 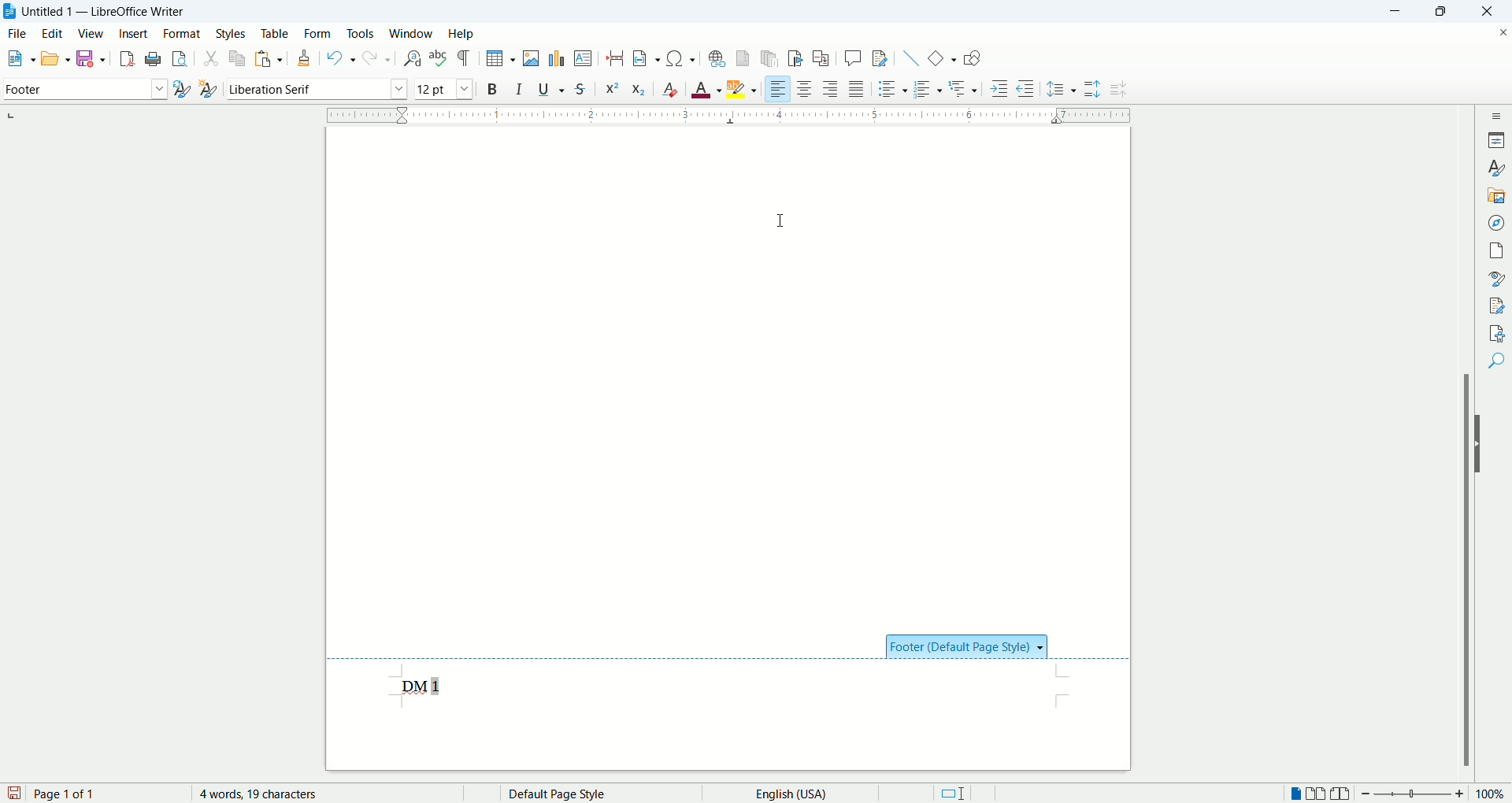 I want to click on text color, so click(x=708, y=89).